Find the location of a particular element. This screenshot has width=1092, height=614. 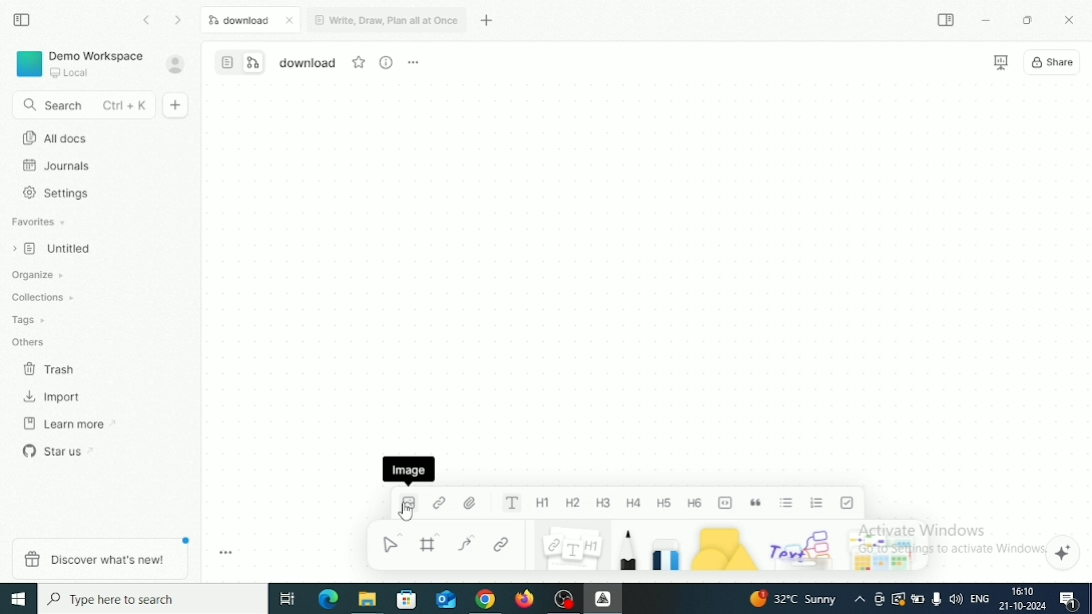

Favourite is located at coordinates (360, 62).